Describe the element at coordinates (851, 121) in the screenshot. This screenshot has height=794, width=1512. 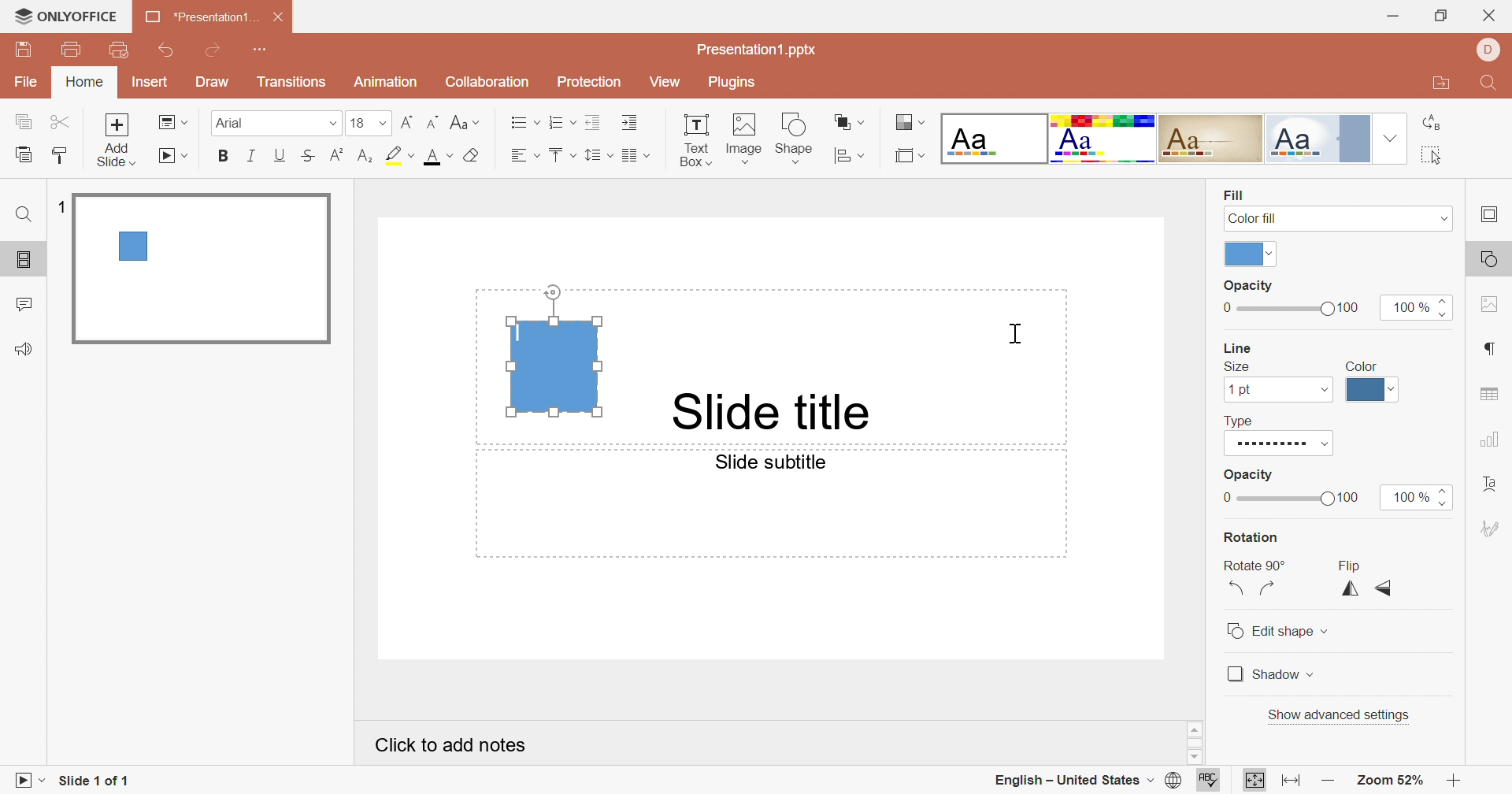
I see `Arrange shape` at that location.